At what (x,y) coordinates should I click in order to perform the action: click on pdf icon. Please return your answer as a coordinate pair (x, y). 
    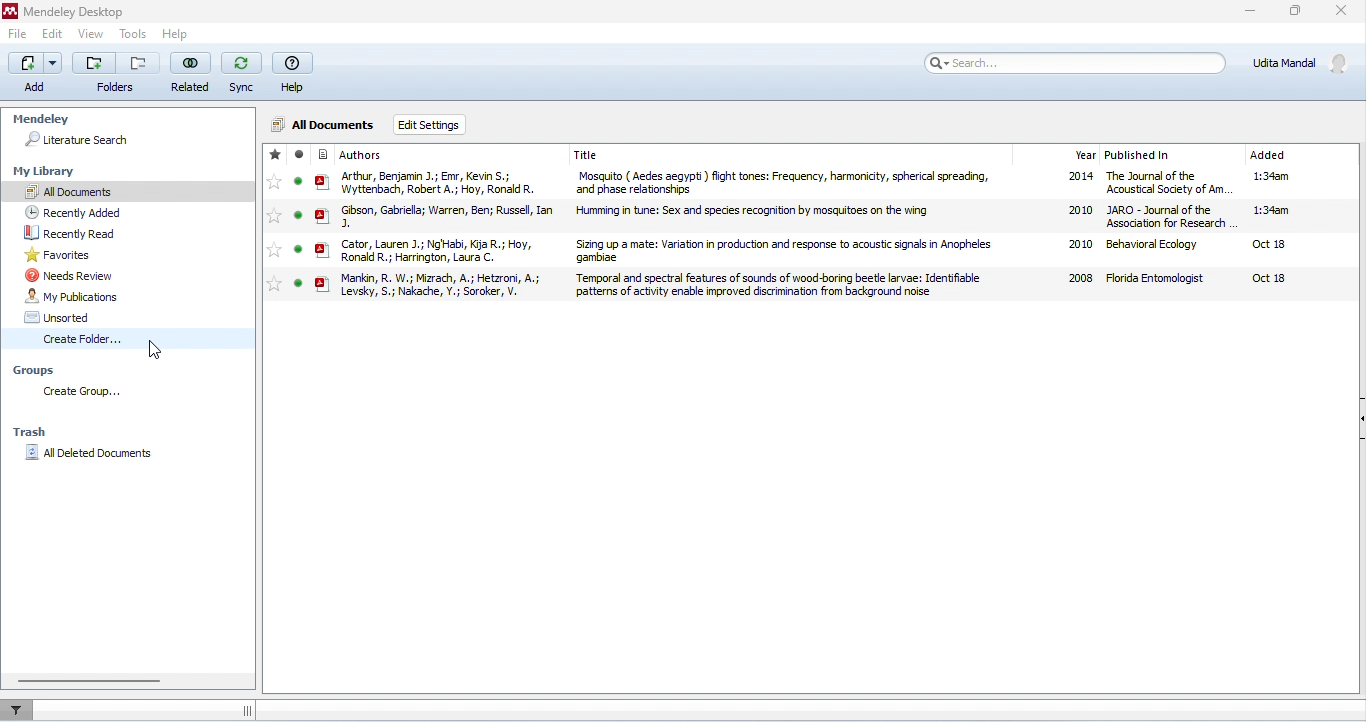
    Looking at the image, I should click on (324, 183).